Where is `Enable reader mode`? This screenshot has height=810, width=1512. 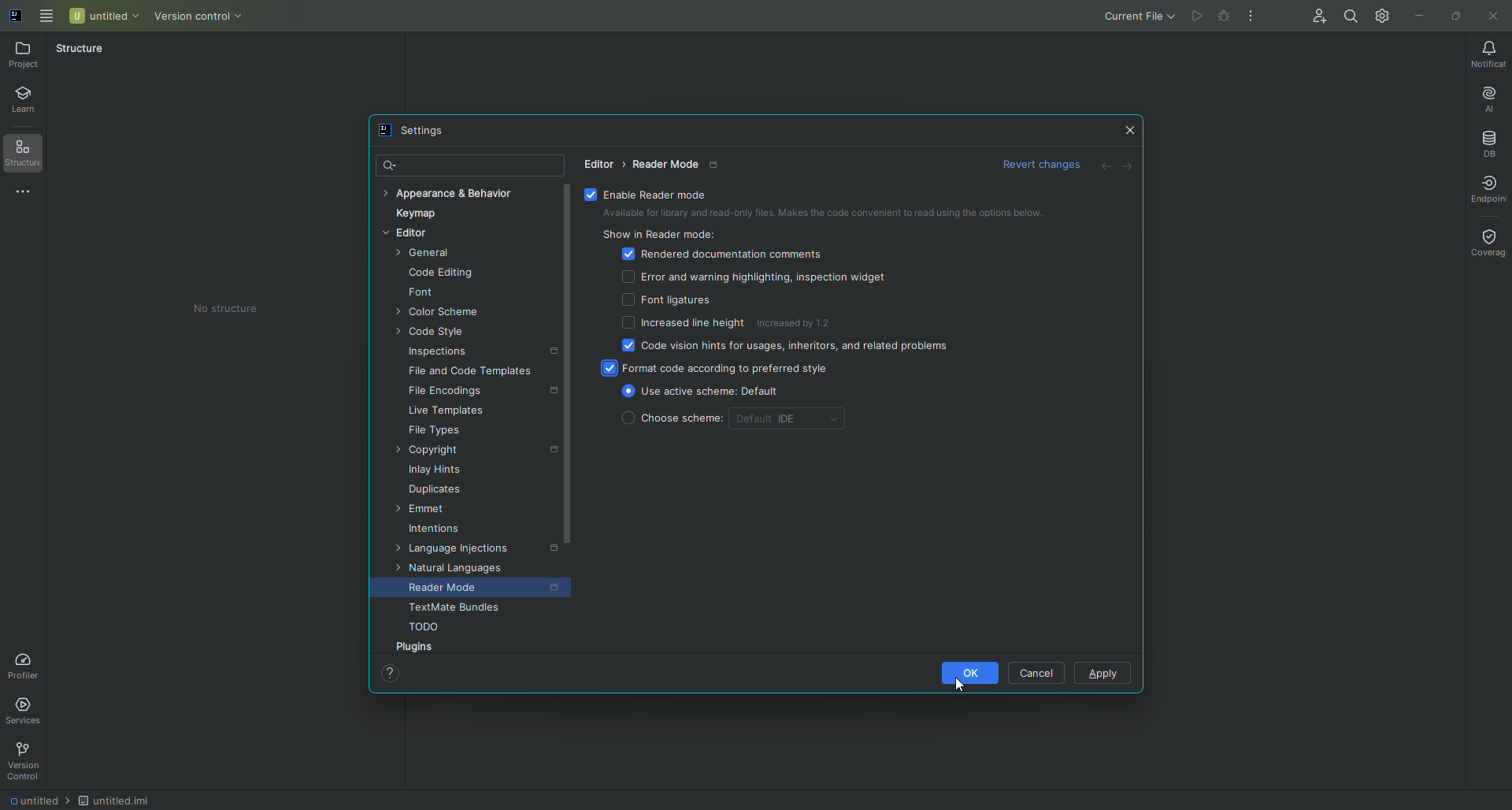 Enable reader mode is located at coordinates (656, 195).